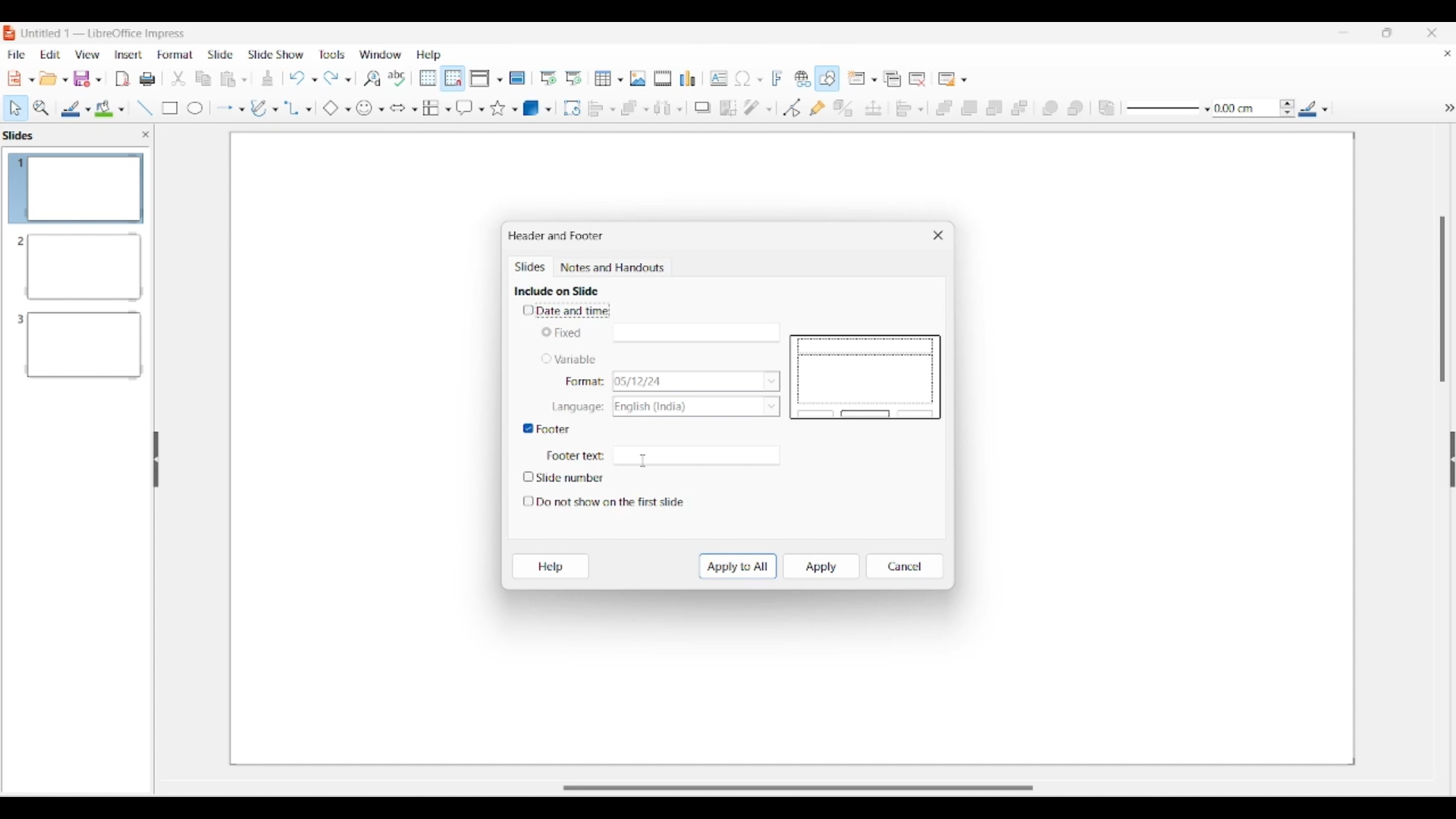 The height and width of the screenshot is (819, 1456). Describe the element at coordinates (42, 108) in the screenshot. I see `Zoom and pan` at that location.